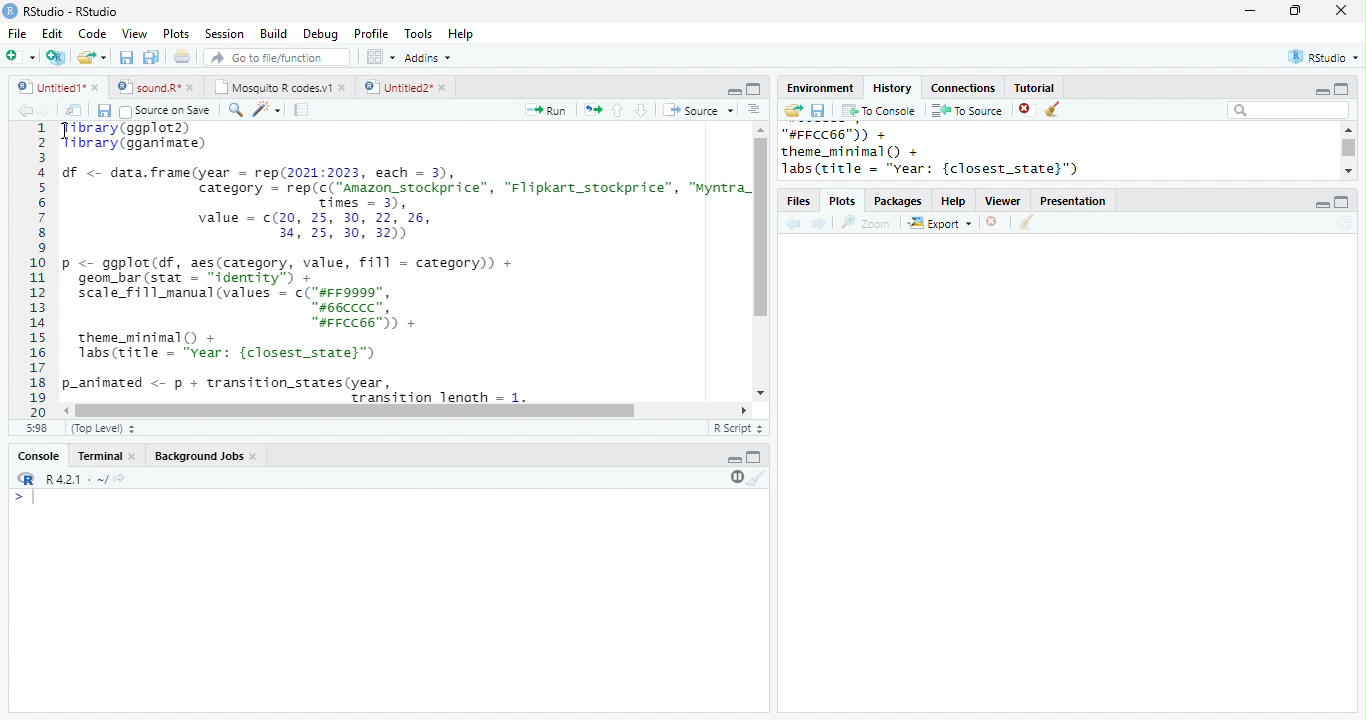 The width and height of the screenshot is (1366, 720). I want to click on close file, so click(992, 222).